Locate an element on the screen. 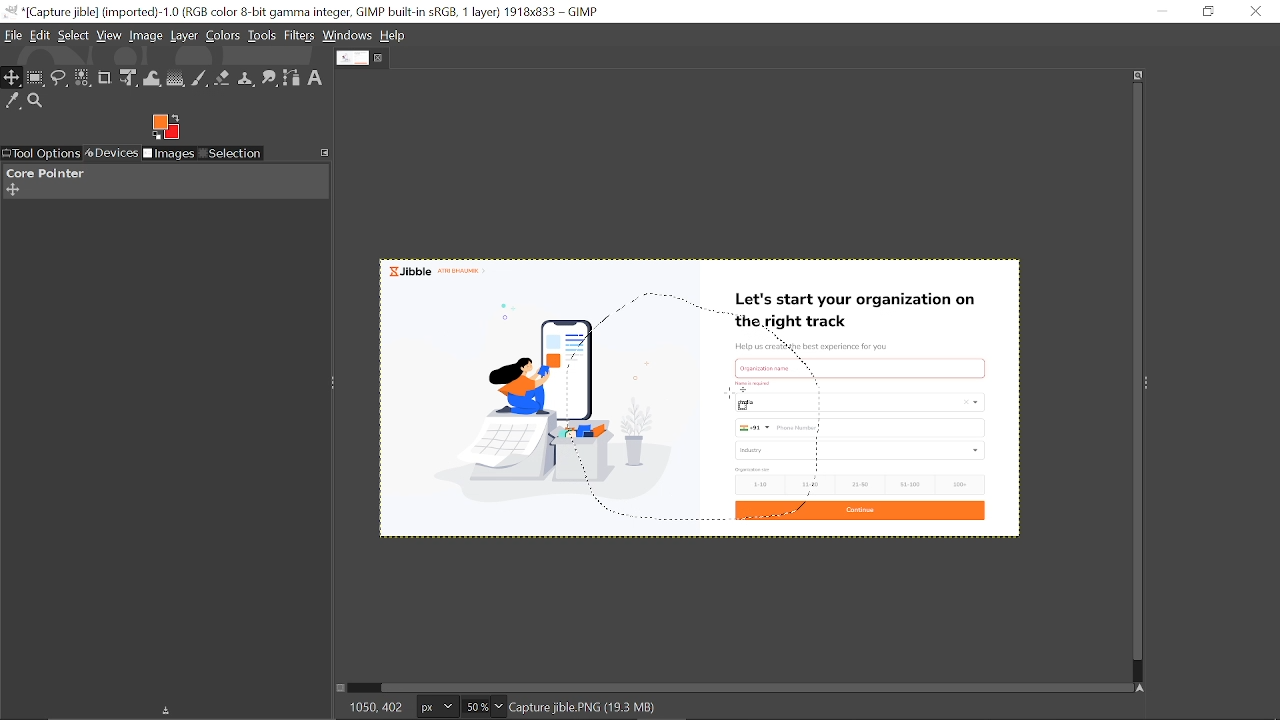 The width and height of the screenshot is (1280, 720). Current Zoom is located at coordinates (474, 707).